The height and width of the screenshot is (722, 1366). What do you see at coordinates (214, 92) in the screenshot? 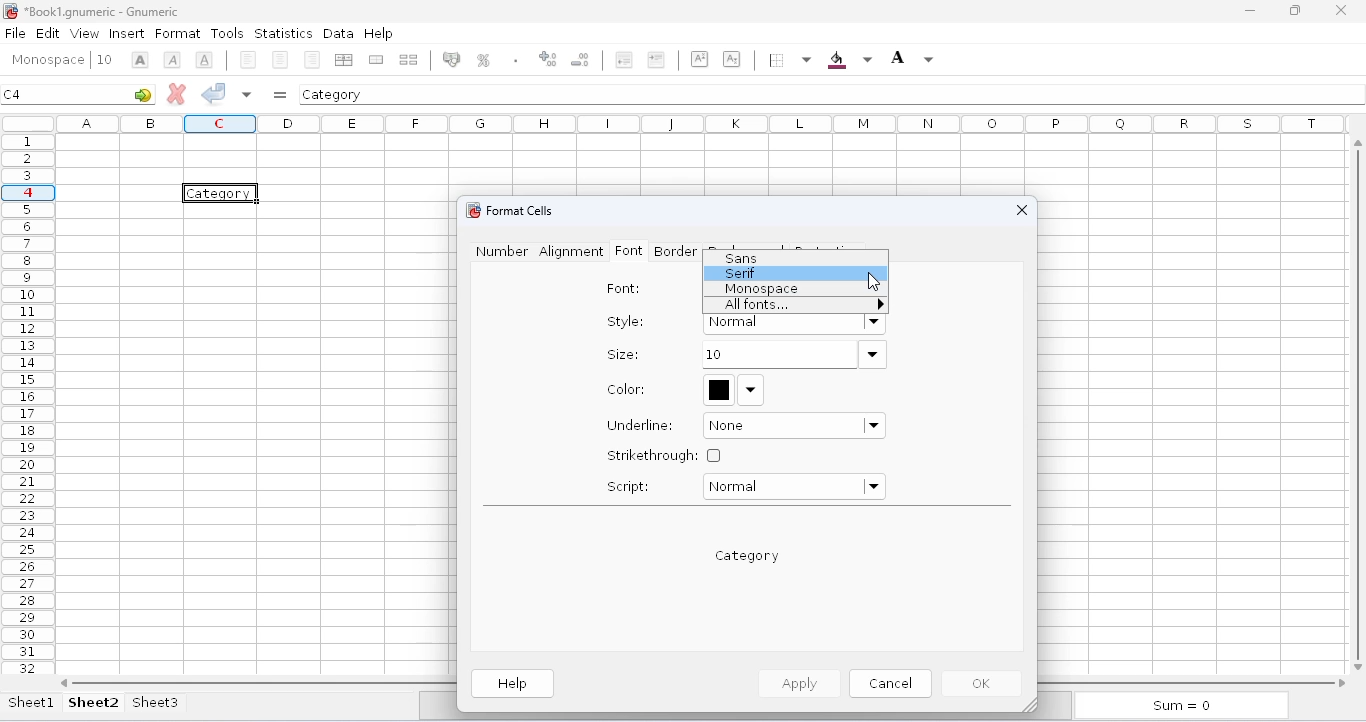
I see `accept change` at bounding box center [214, 92].